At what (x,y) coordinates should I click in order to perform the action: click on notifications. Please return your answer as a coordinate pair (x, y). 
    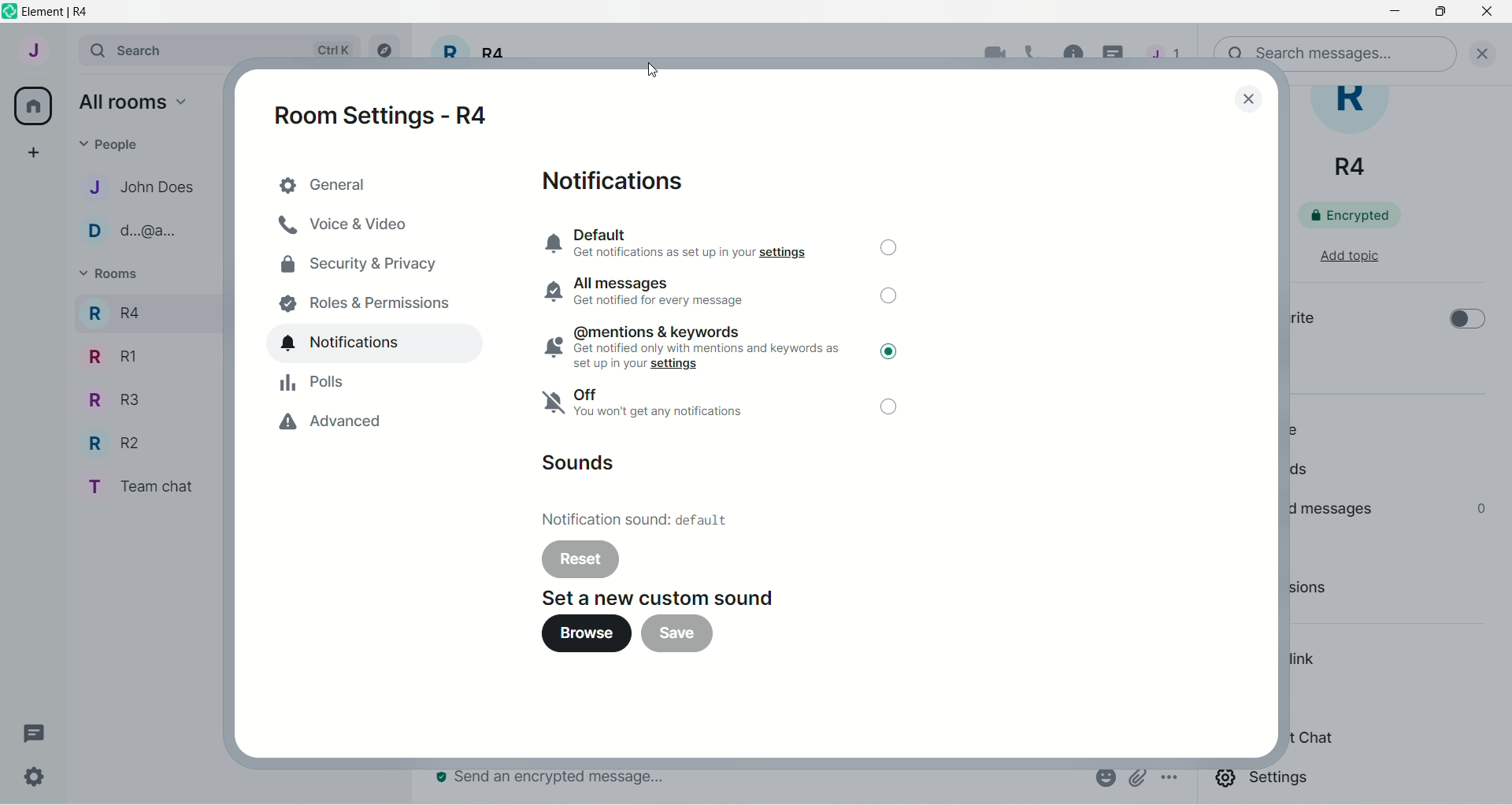
    Looking at the image, I should click on (622, 182).